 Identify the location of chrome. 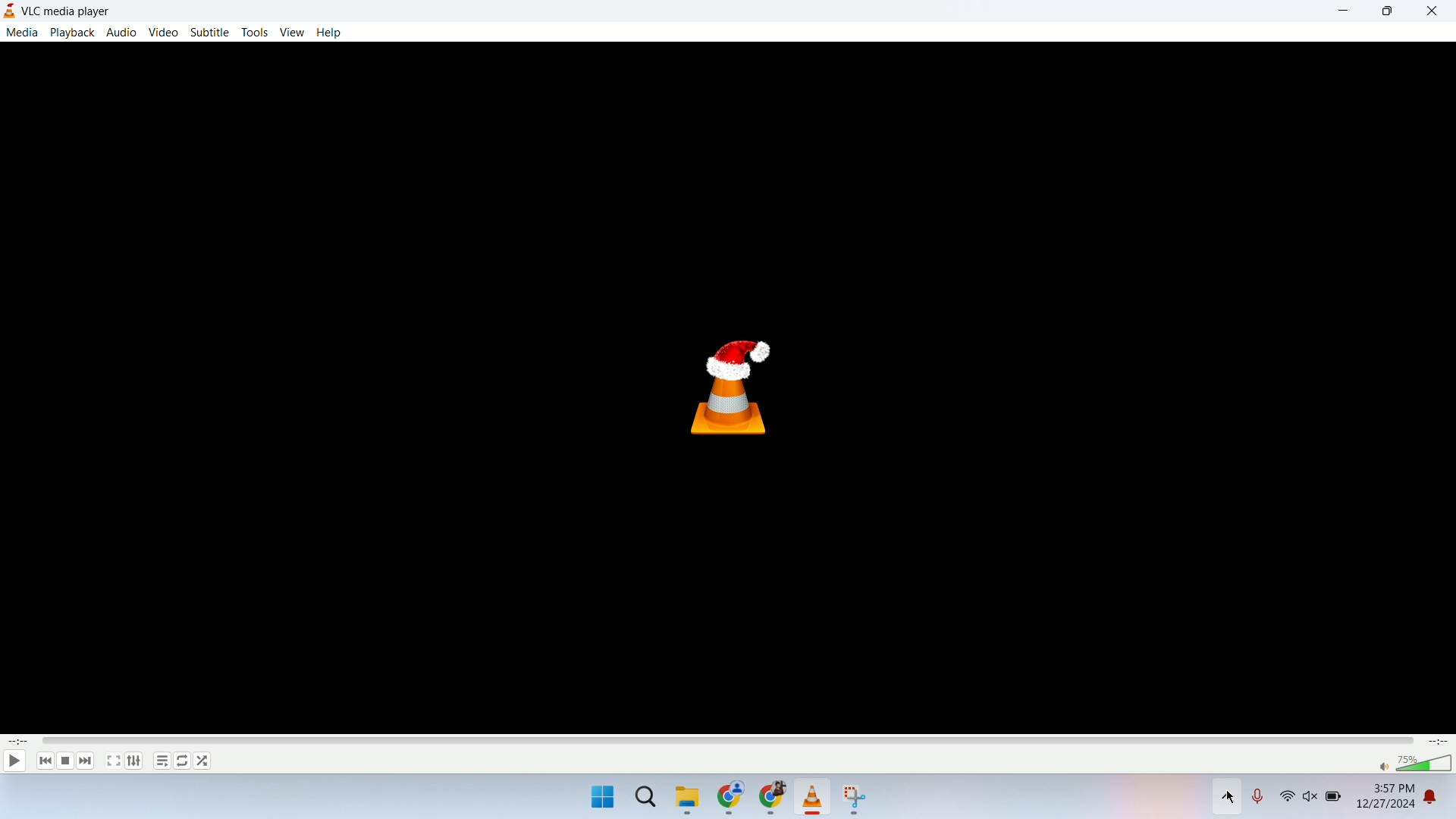
(731, 800).